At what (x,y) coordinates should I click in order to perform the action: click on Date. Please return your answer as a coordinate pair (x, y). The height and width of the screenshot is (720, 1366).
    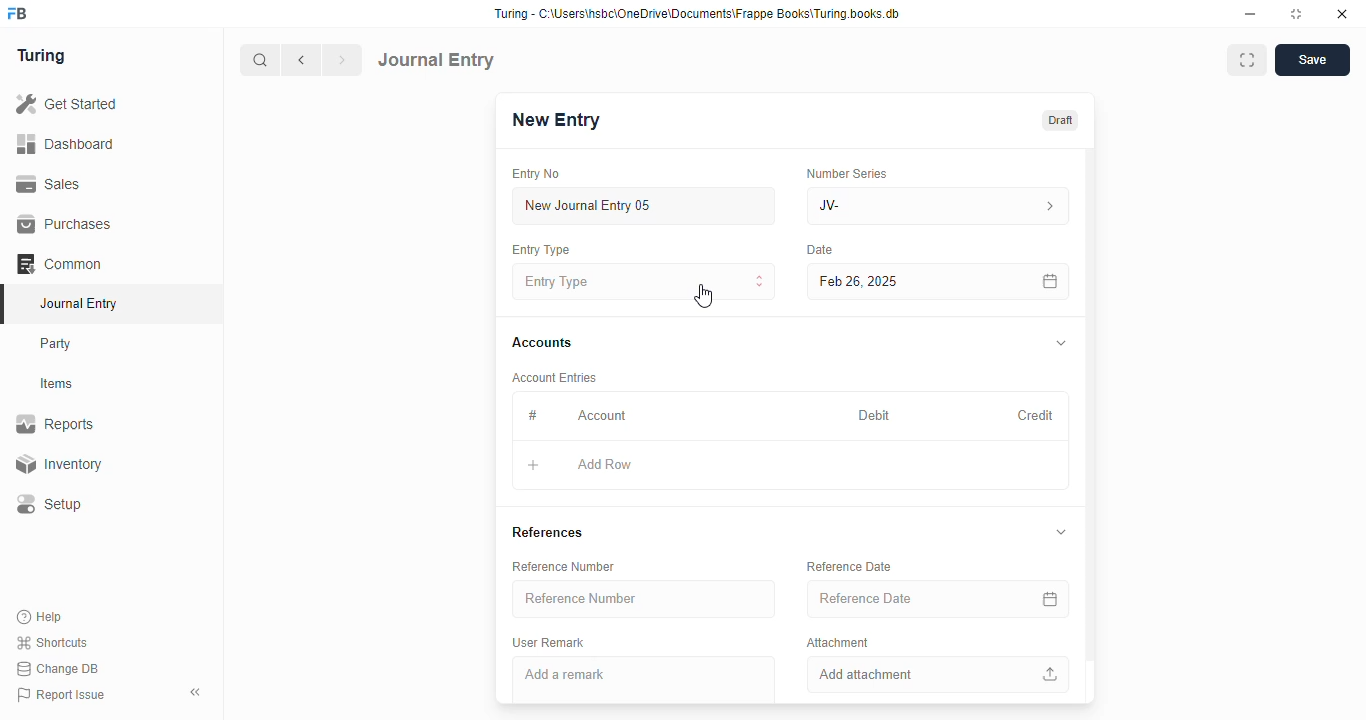
    Looking at the image, I should click on (821, 250).